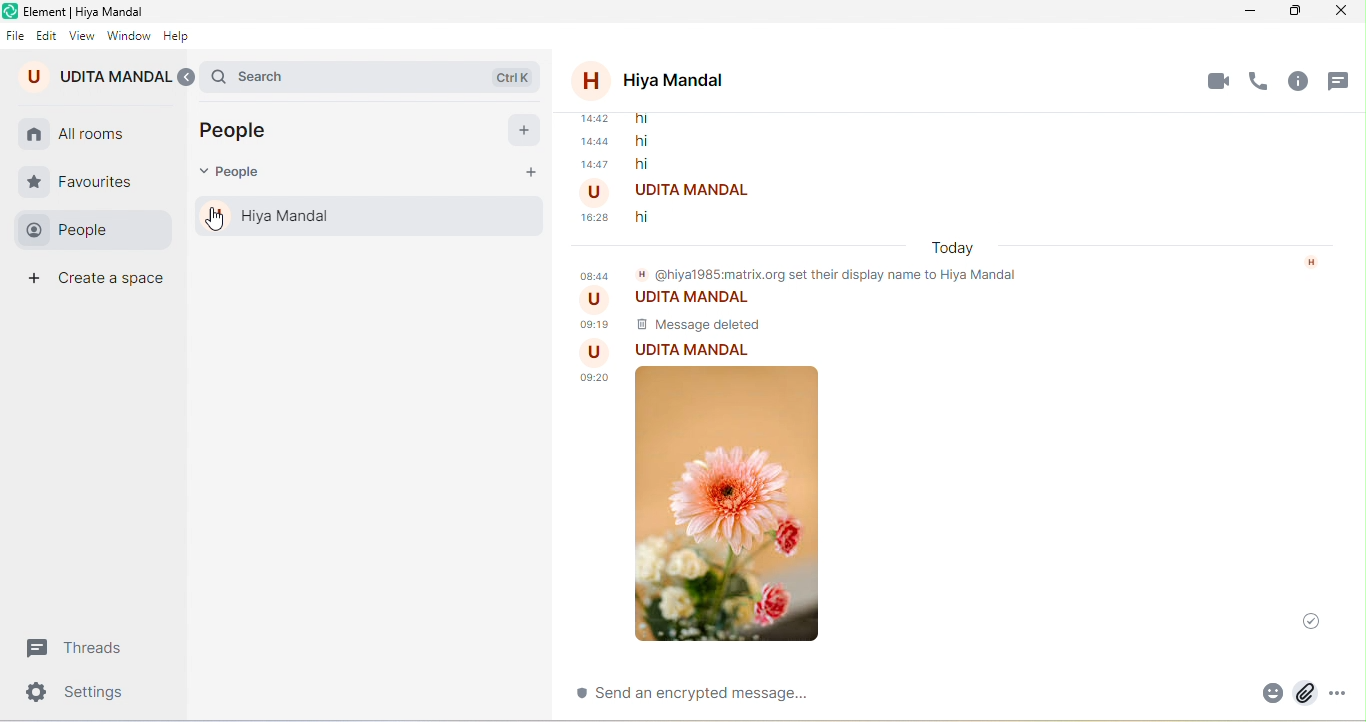 The height and width of the screenshot is (722, 1366). Describe the element at coordinates (1308, 261) in the screenshot. I see `Icon` at that location.